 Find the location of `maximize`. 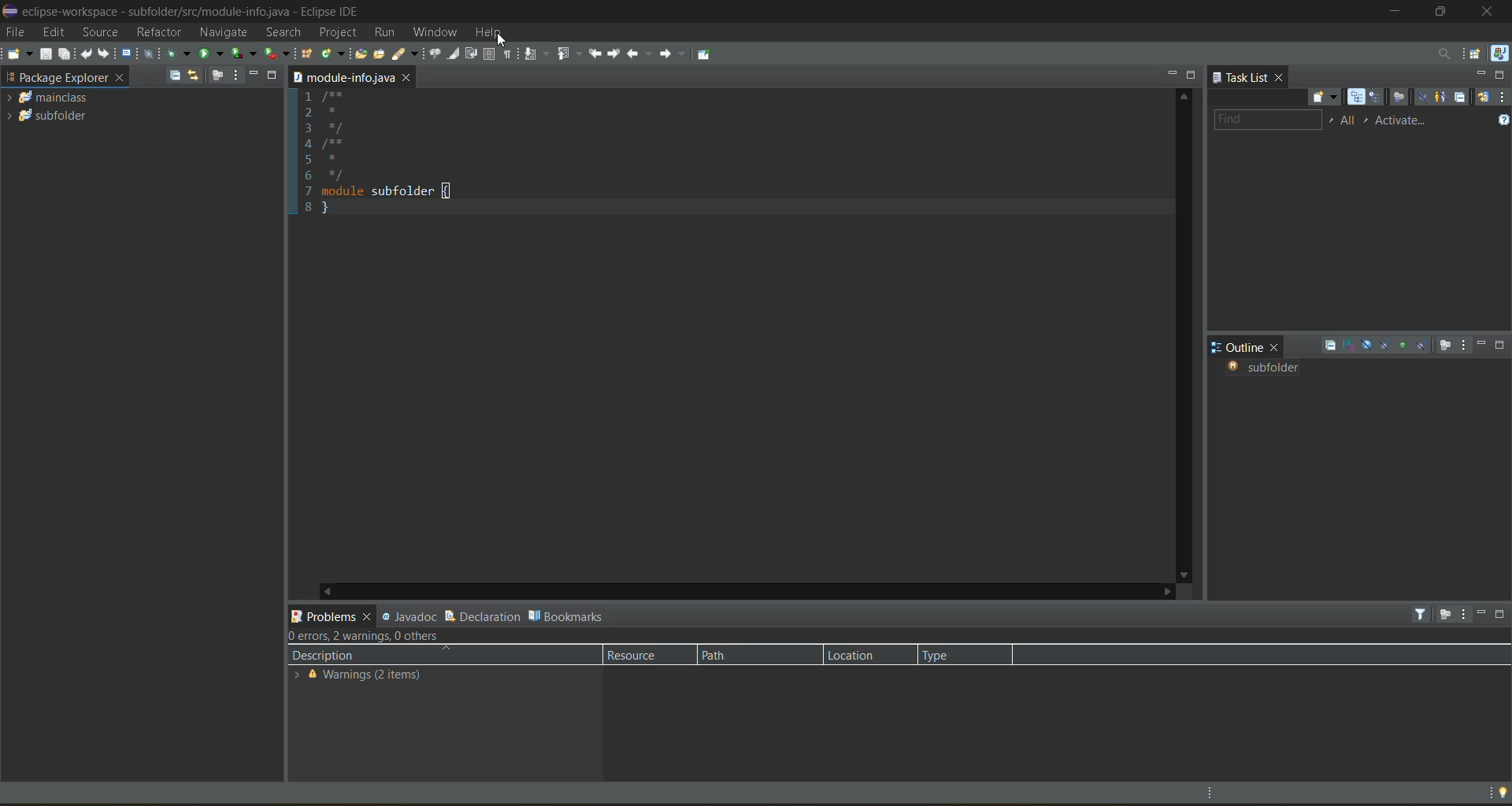

maximize is located at coordinates (1503, 74).